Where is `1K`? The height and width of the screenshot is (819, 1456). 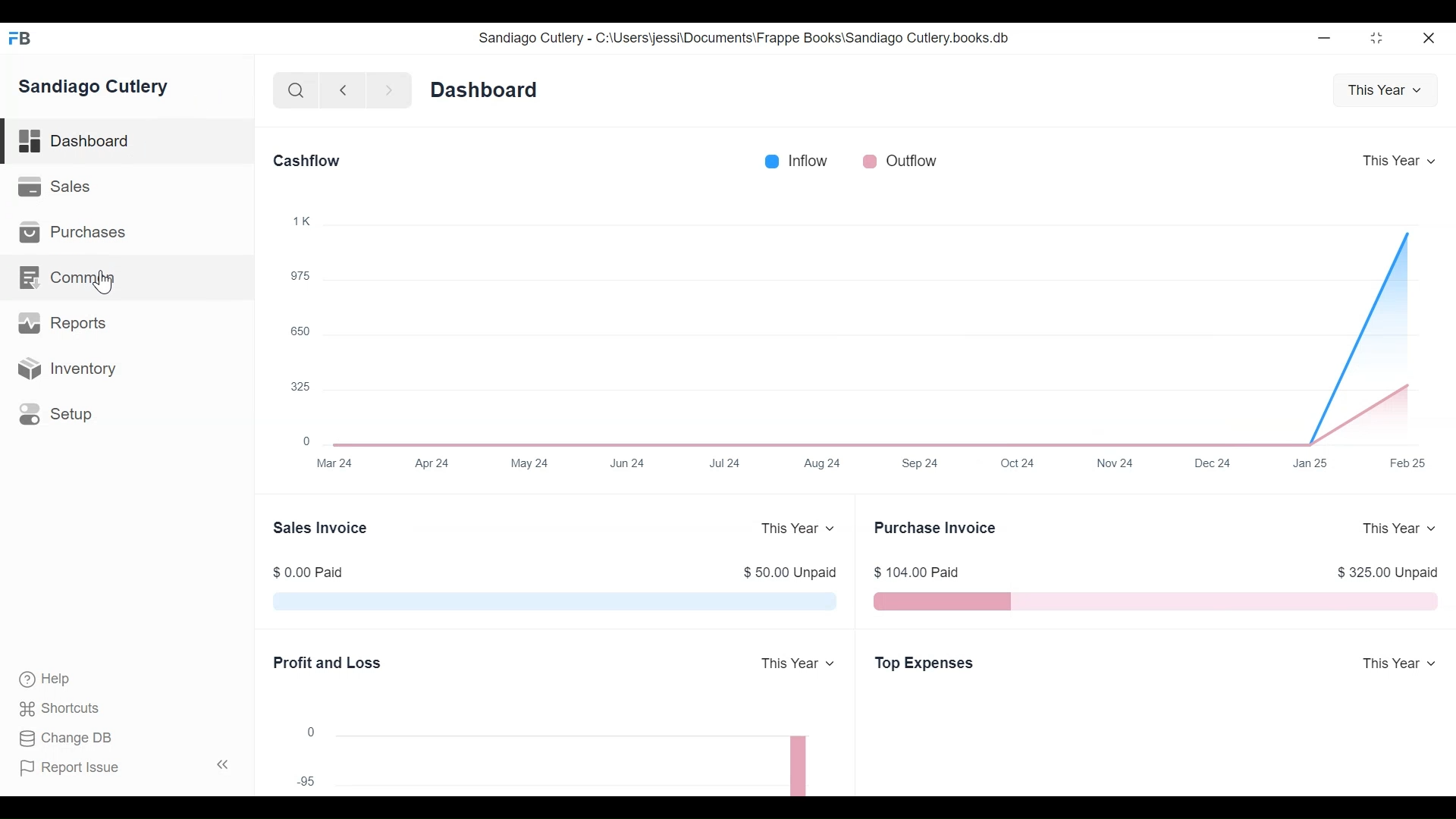
1K is located at coordinates (302, 221).